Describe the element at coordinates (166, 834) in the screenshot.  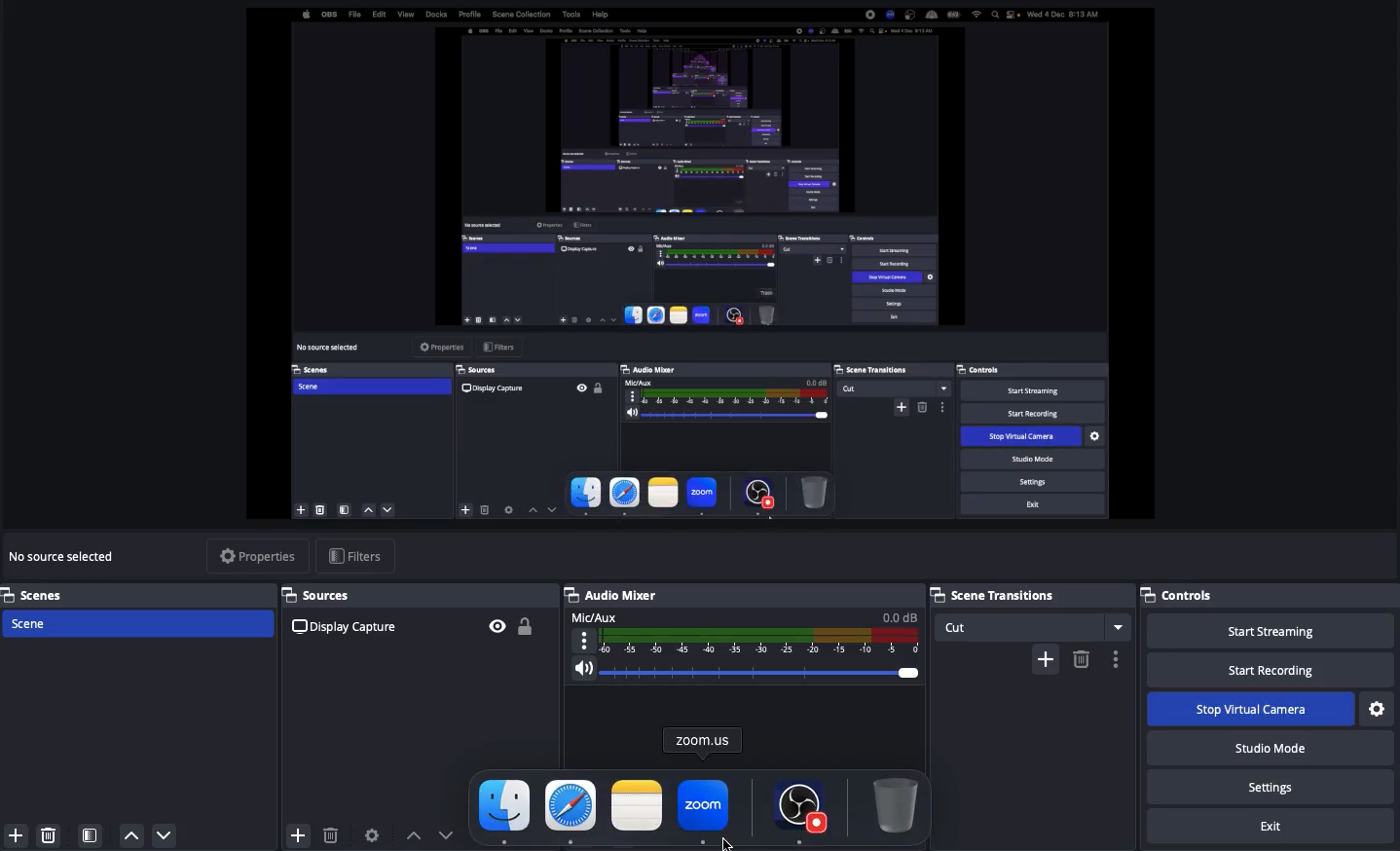
I see `Move down` at that location.